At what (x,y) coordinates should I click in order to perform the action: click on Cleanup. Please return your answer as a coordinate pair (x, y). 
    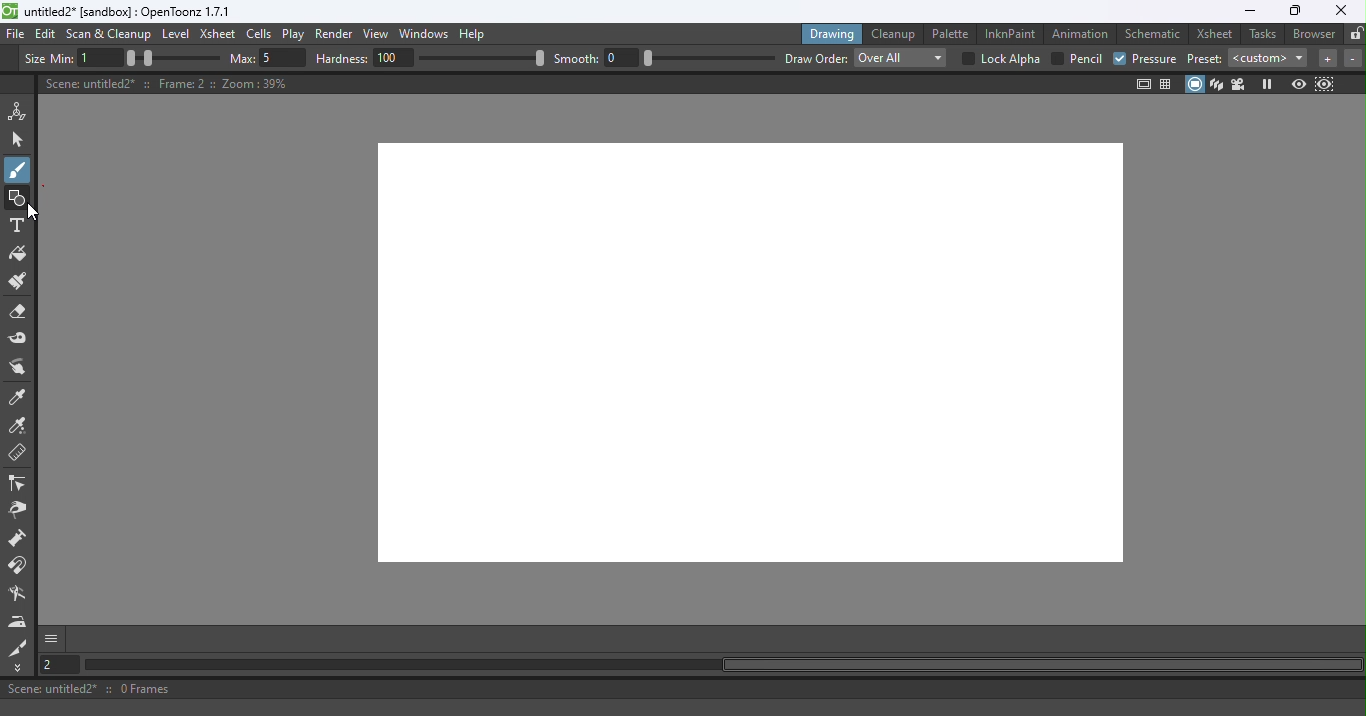
    Looking at the image, I should click on (897, 33).